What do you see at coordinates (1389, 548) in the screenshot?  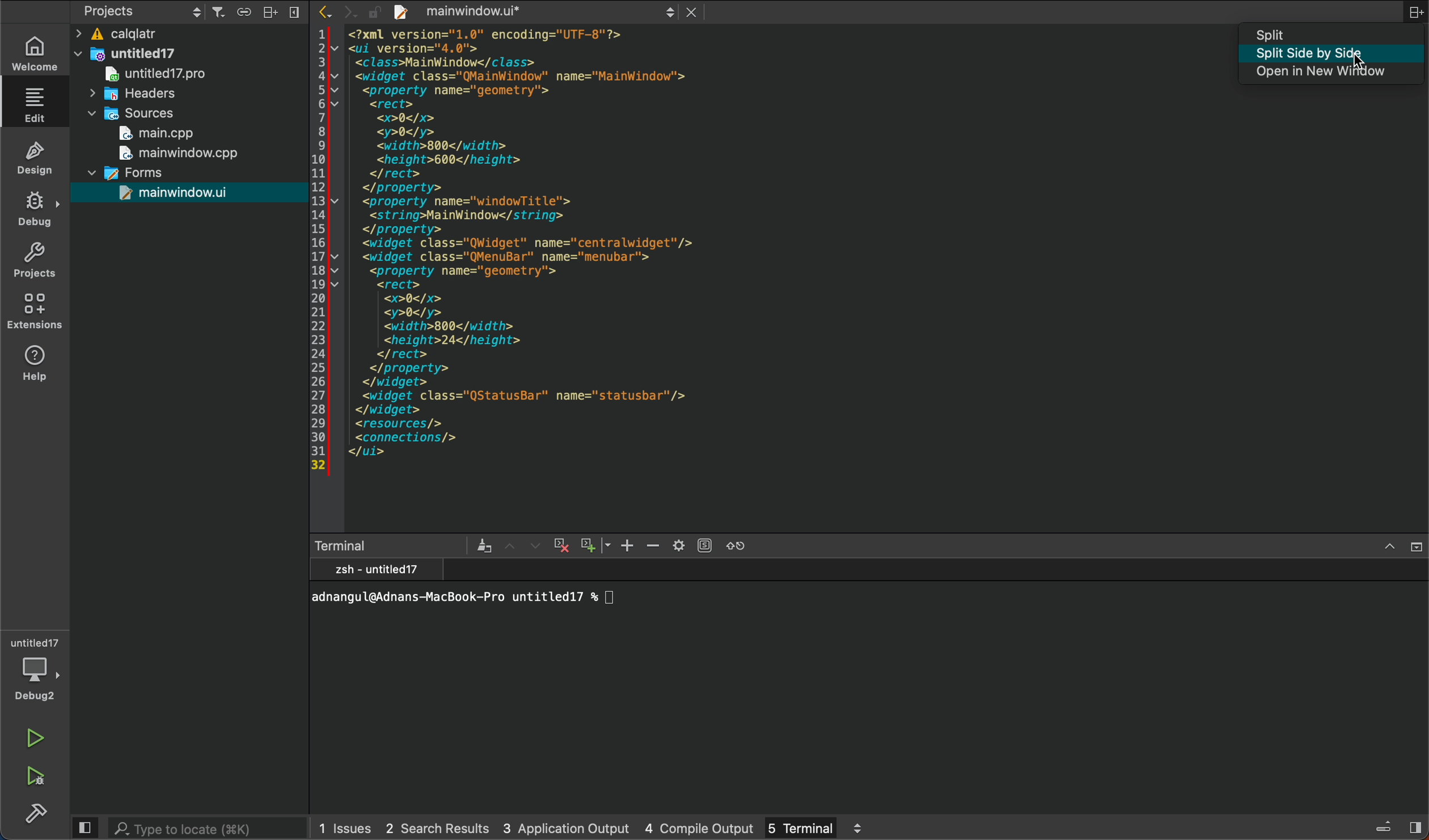 I see `maximize` at bounding box center [1389, 548].